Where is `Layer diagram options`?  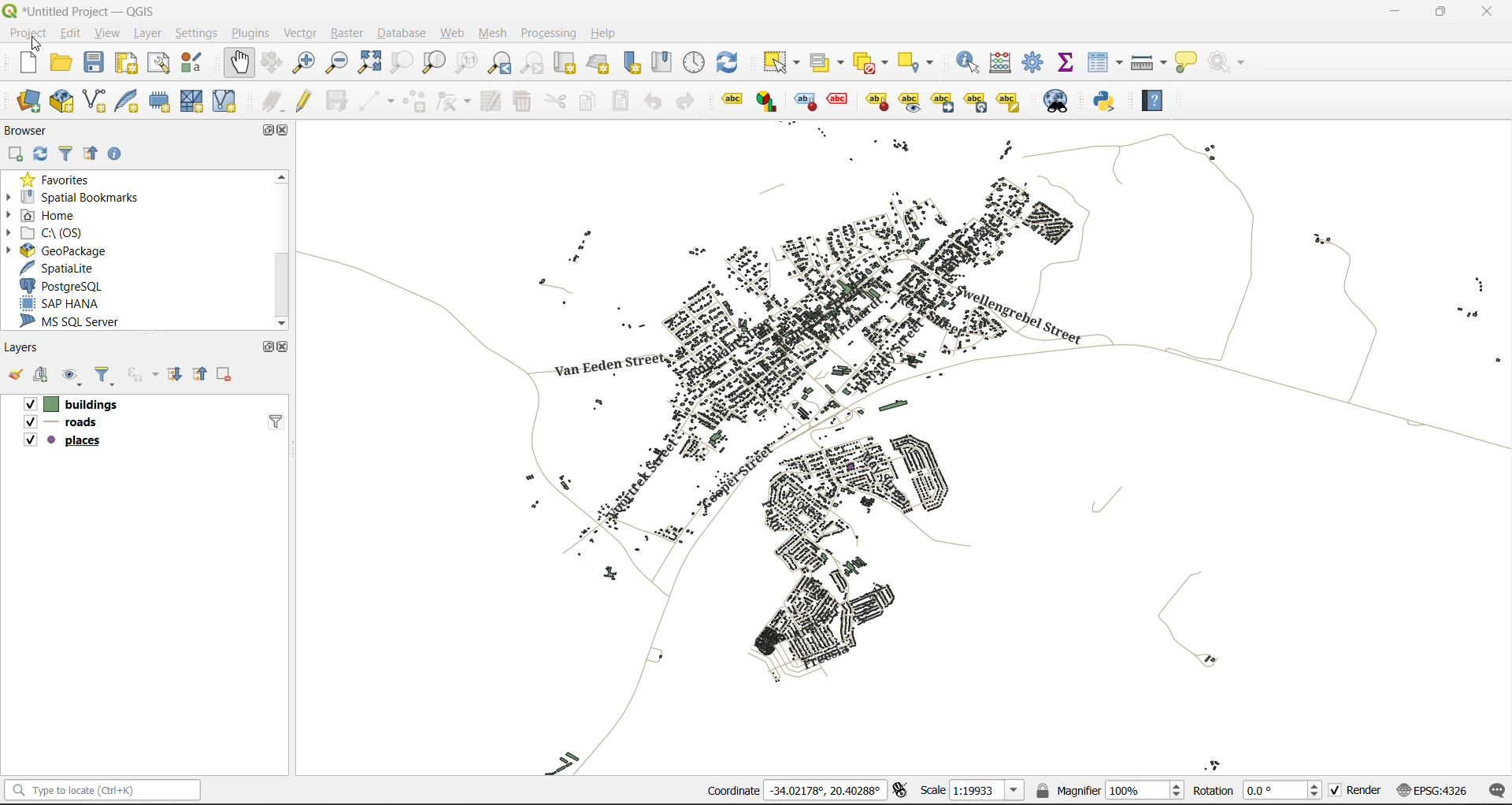
Layer diagram options is located at coordinates (768, 101).